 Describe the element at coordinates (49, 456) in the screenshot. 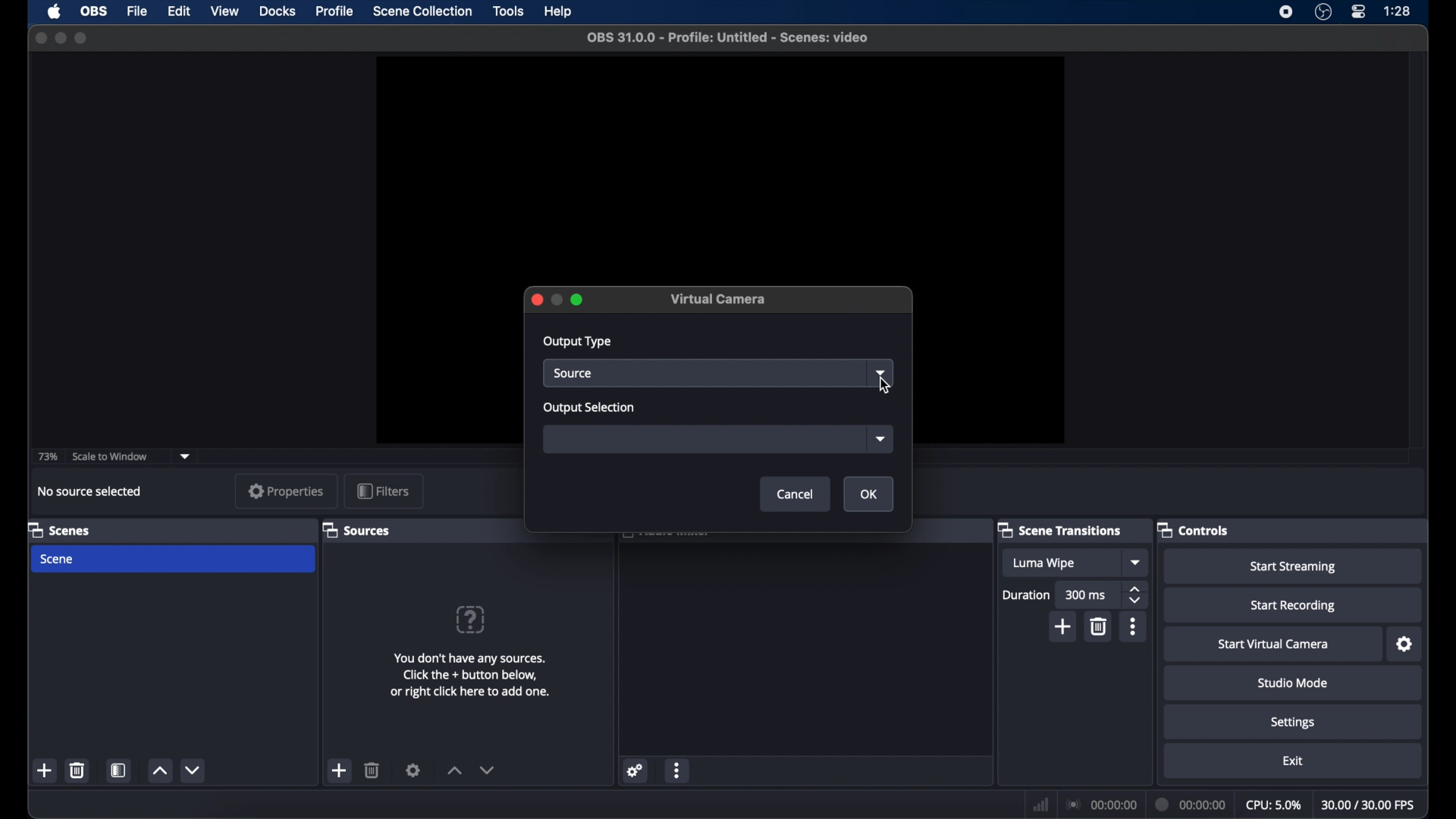

I see `73%` at that location.